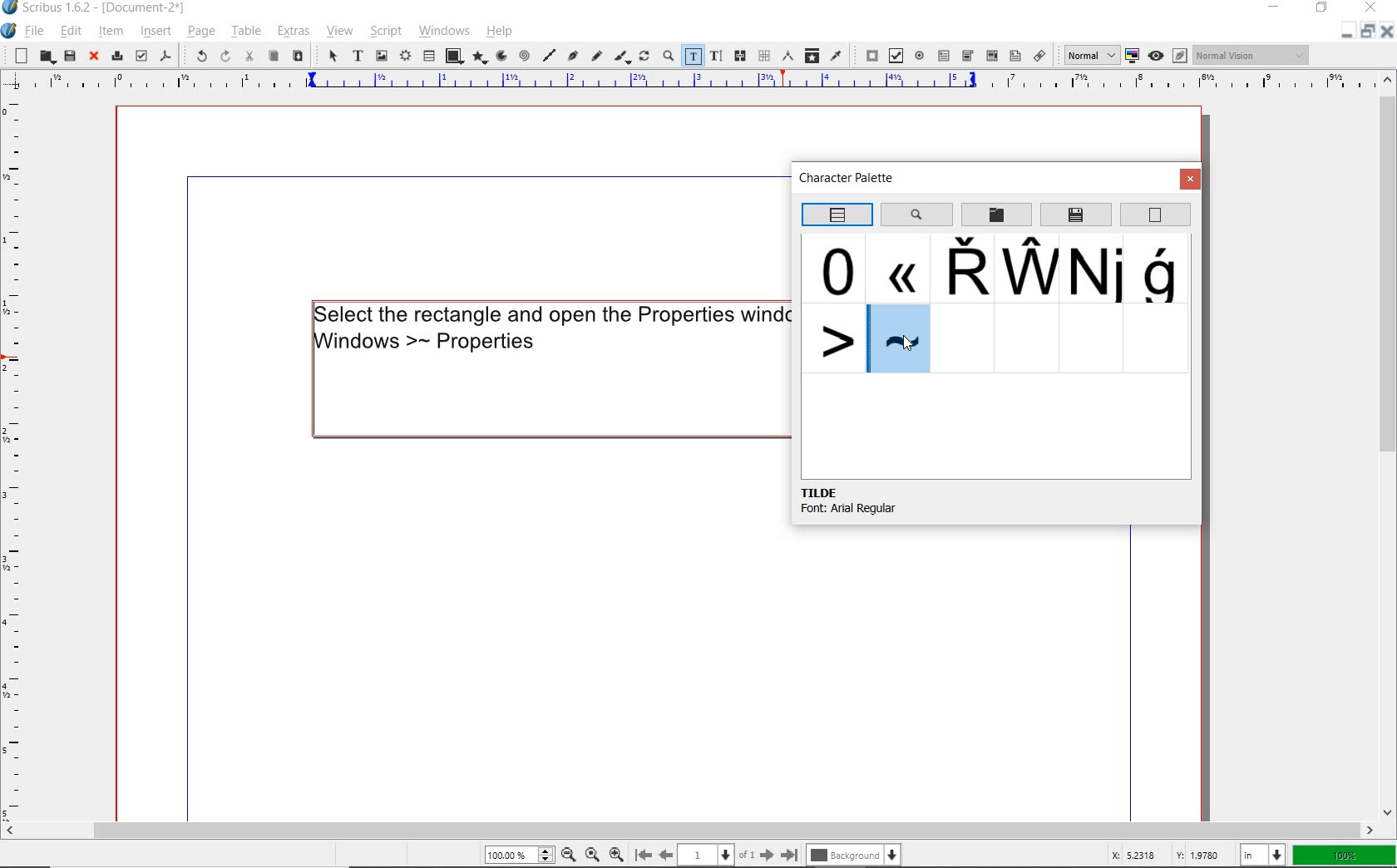 The width and height of the screenshot is (1397, 868). I want to click on preflight verifier, so click(141, 56).